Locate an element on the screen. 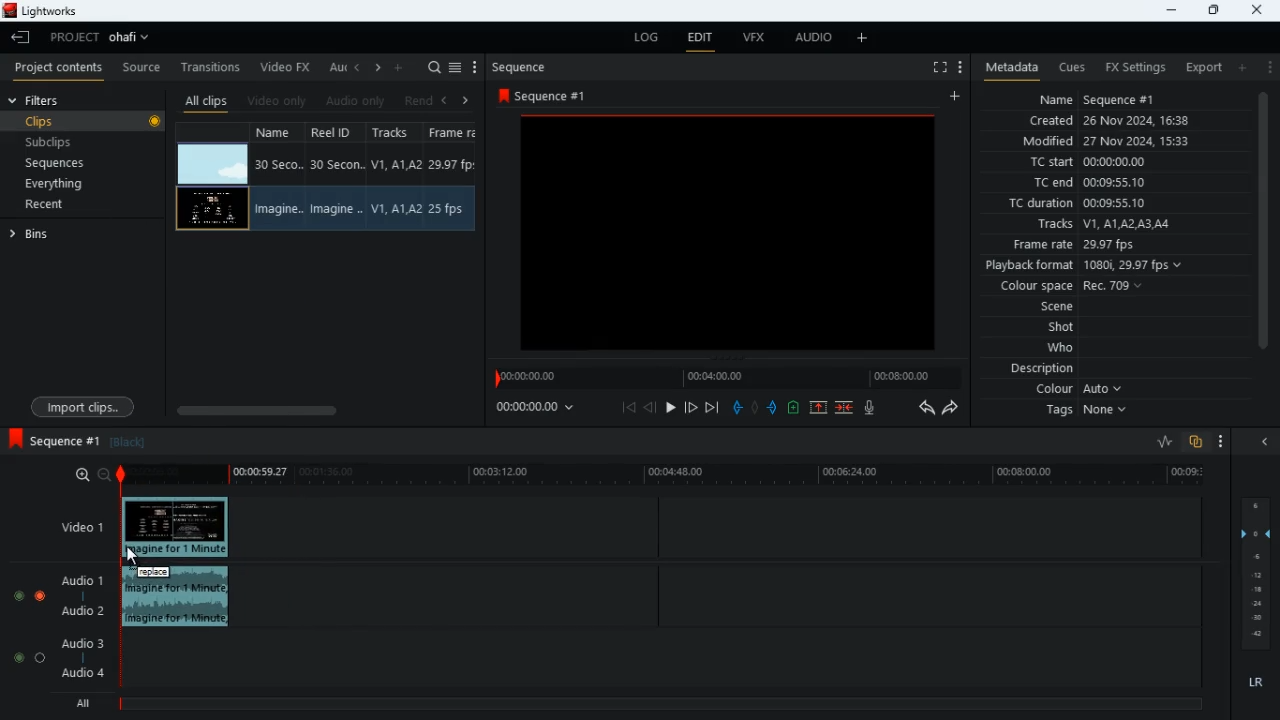  left is located at coordinates (360, 69).